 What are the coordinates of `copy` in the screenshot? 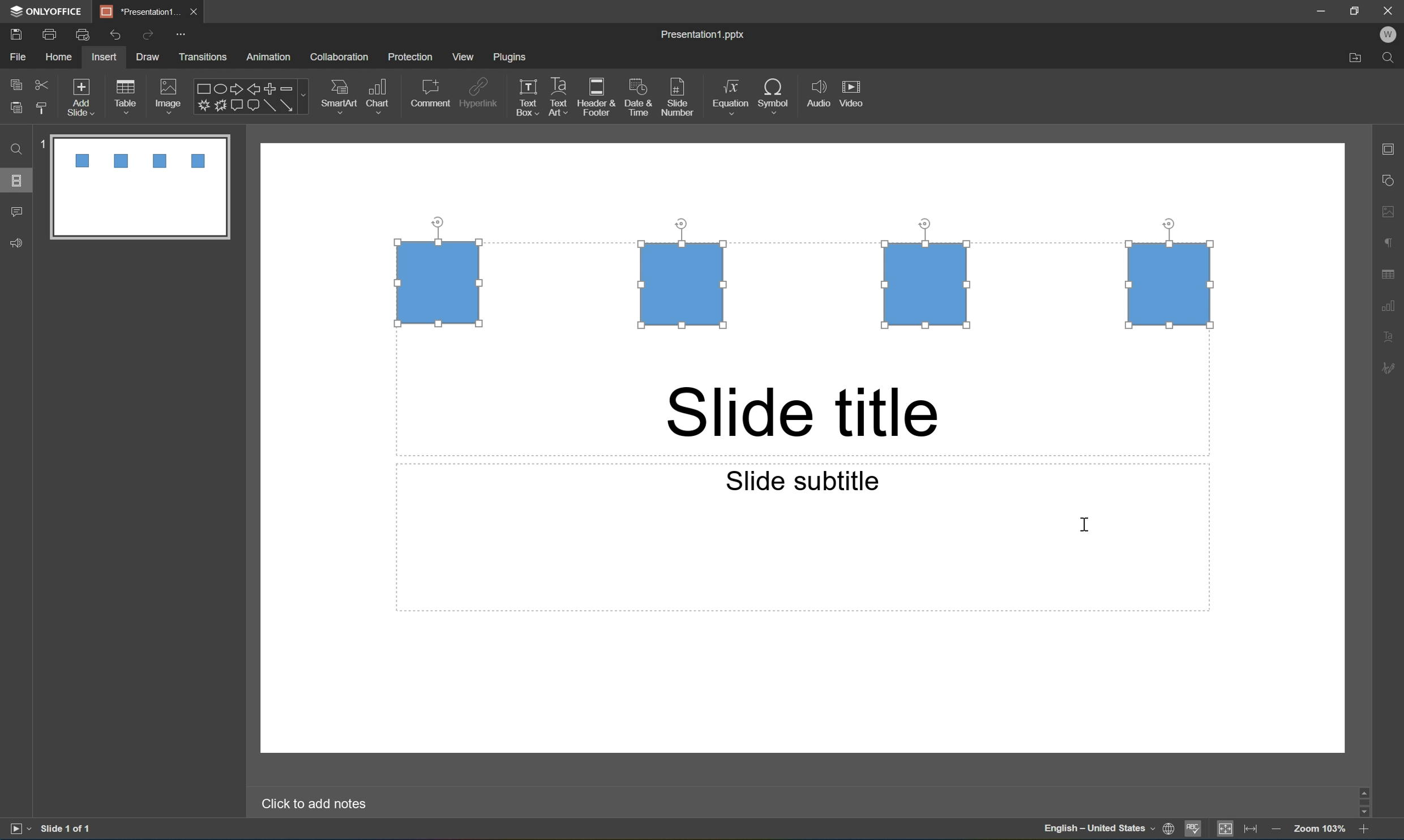 It's located at (15, 83).